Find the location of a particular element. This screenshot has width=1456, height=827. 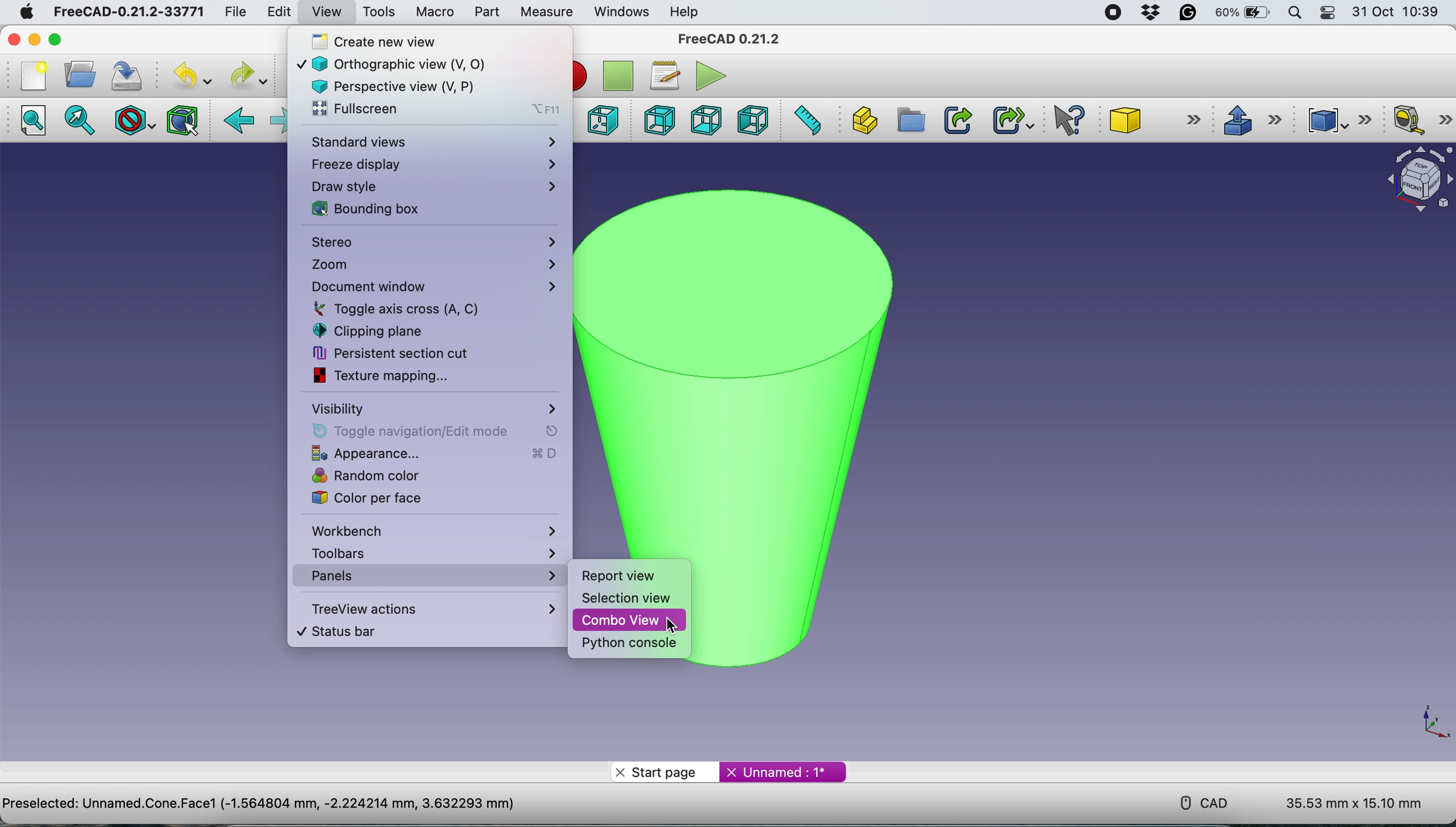

create part is located at coordinates (864, 119).